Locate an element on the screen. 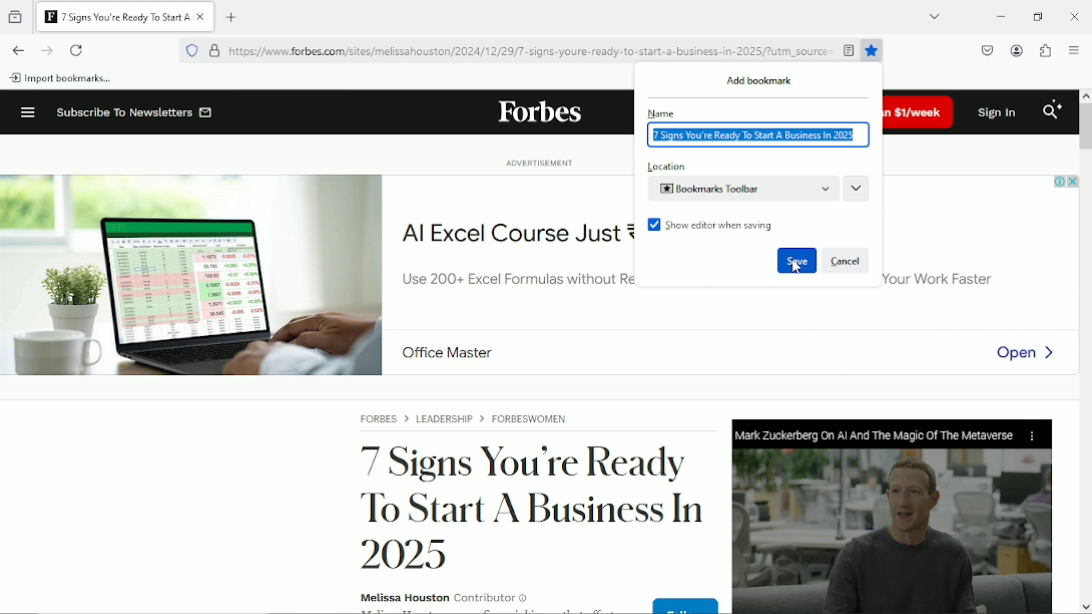 The image size is (1092, 614). Account is located at coordinates (1017, 50).